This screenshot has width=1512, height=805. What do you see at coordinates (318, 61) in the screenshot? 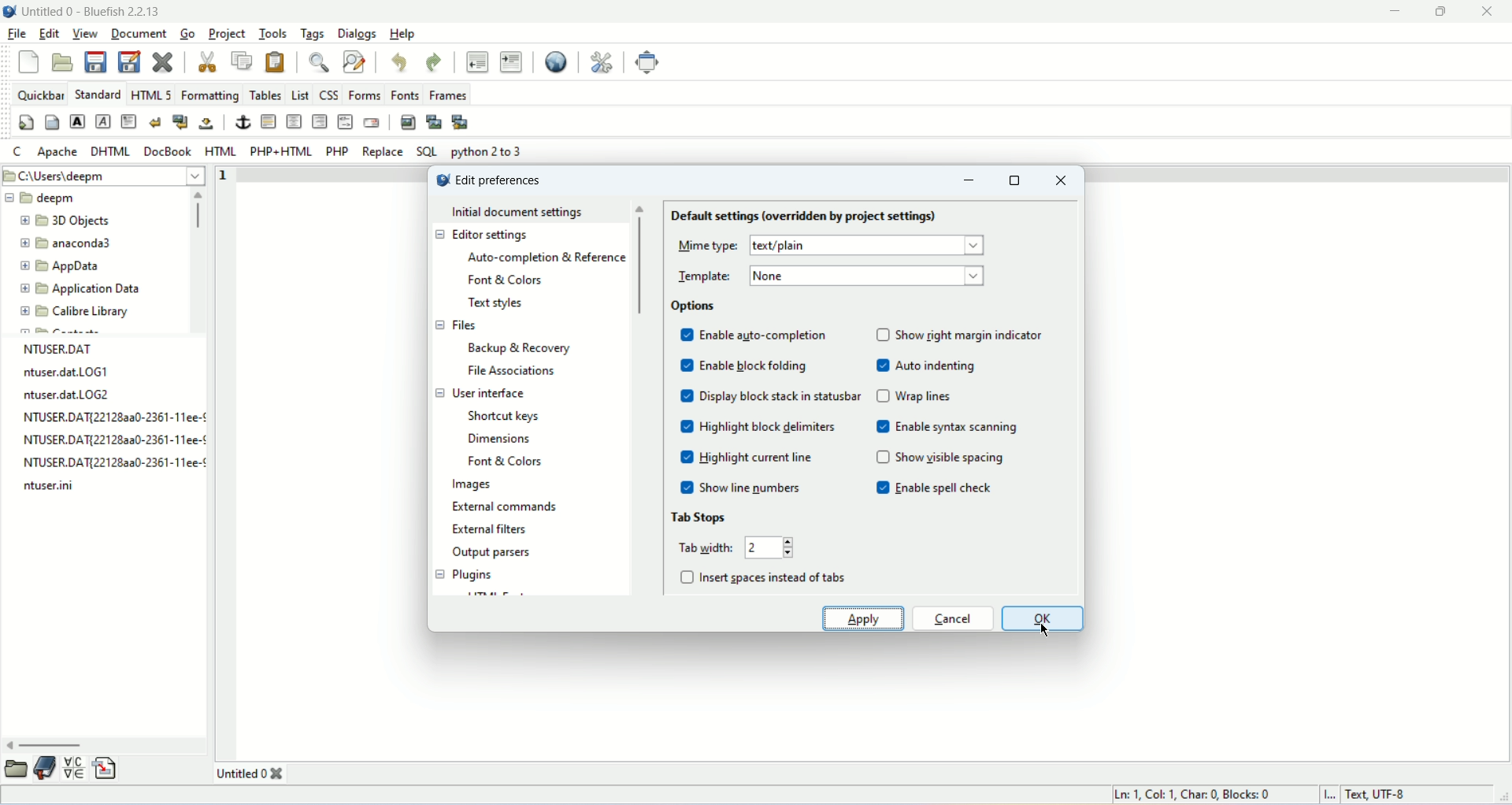
I see `show find bar` at bounding box center [318, 61].